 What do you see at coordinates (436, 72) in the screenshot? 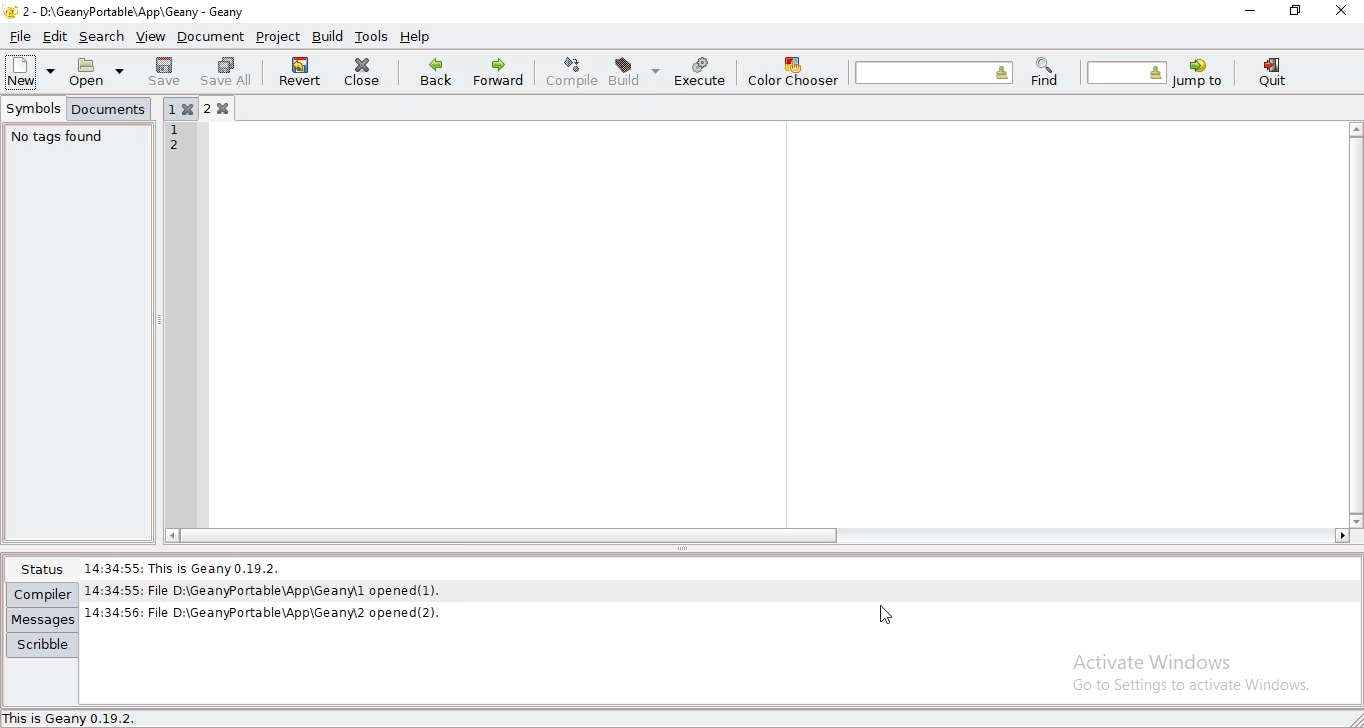
I see `back` at bounding box center [436, 72].